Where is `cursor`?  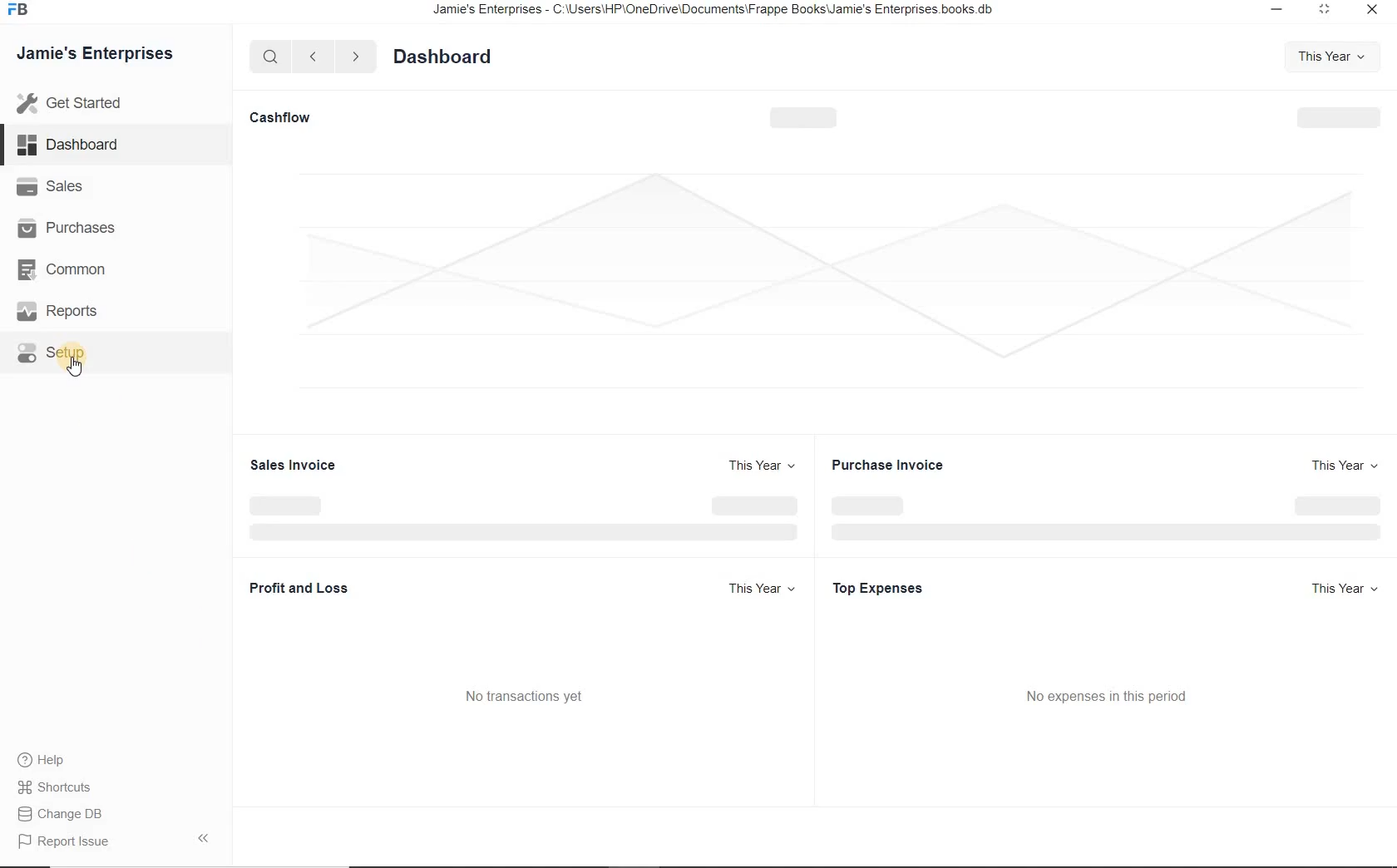
cursor is located at coordinates (76, 367).